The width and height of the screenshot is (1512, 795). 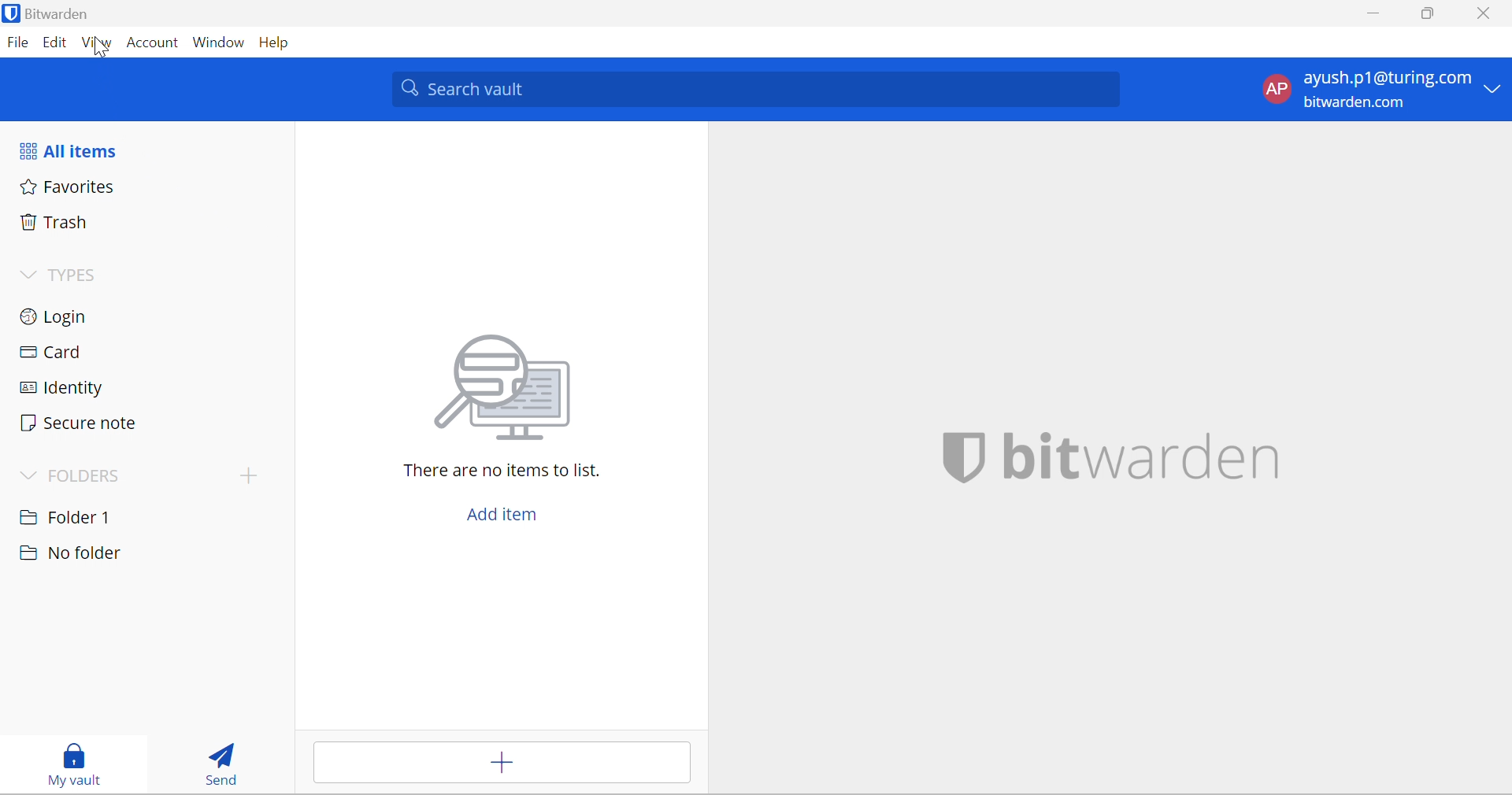 What do you see at coordinates (1379, 87) in the screenshot?
I see `Account options` at bounding box center [1379, 87].